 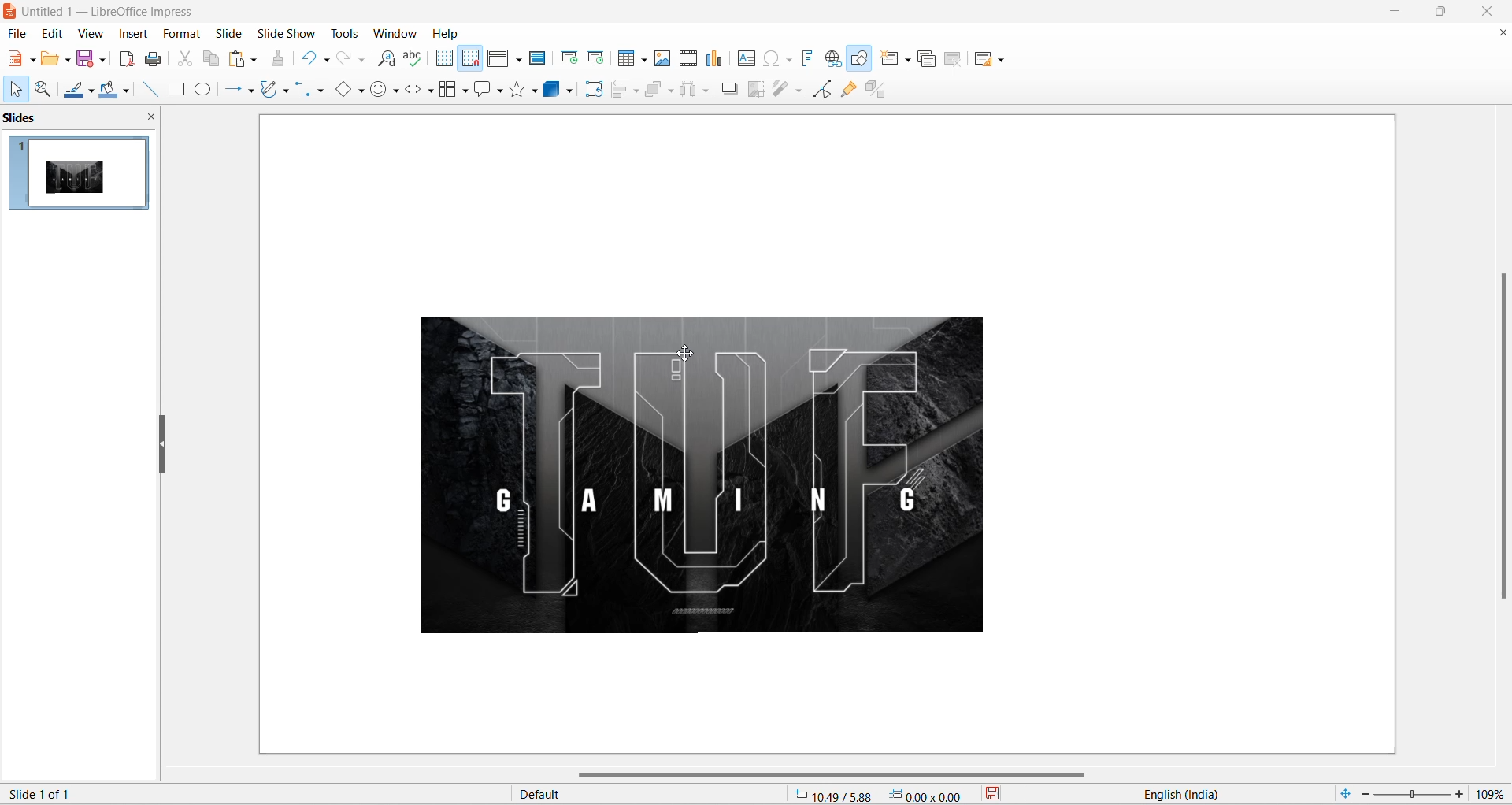 What do you see at coordinates (41, 90) in the screenshot?
I see `zoom and pan` at bounding box center [41, 90].